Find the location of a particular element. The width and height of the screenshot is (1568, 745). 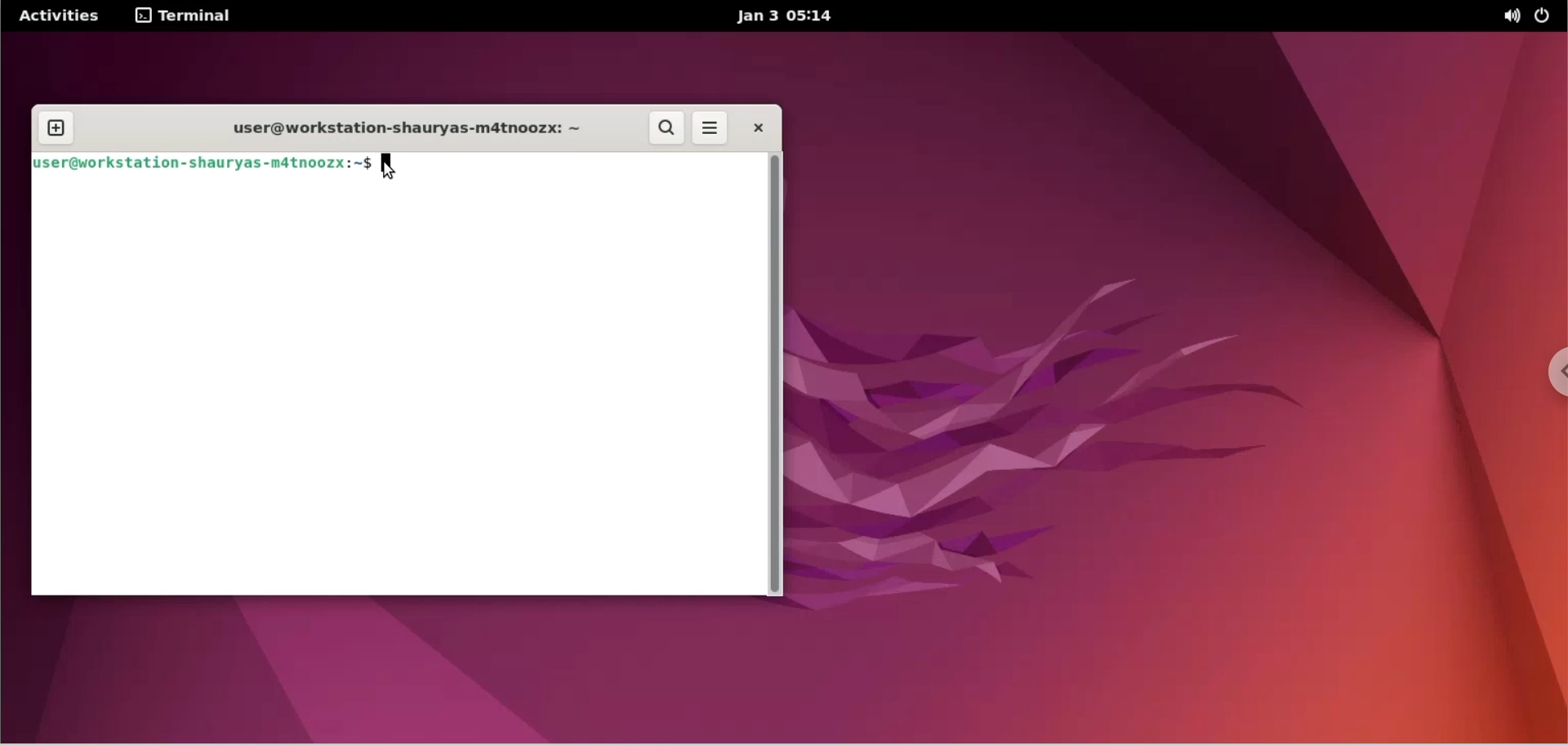

user@workstation-shauryas-m4tnoozx: ~ $ is located at coordinates (203, 165).